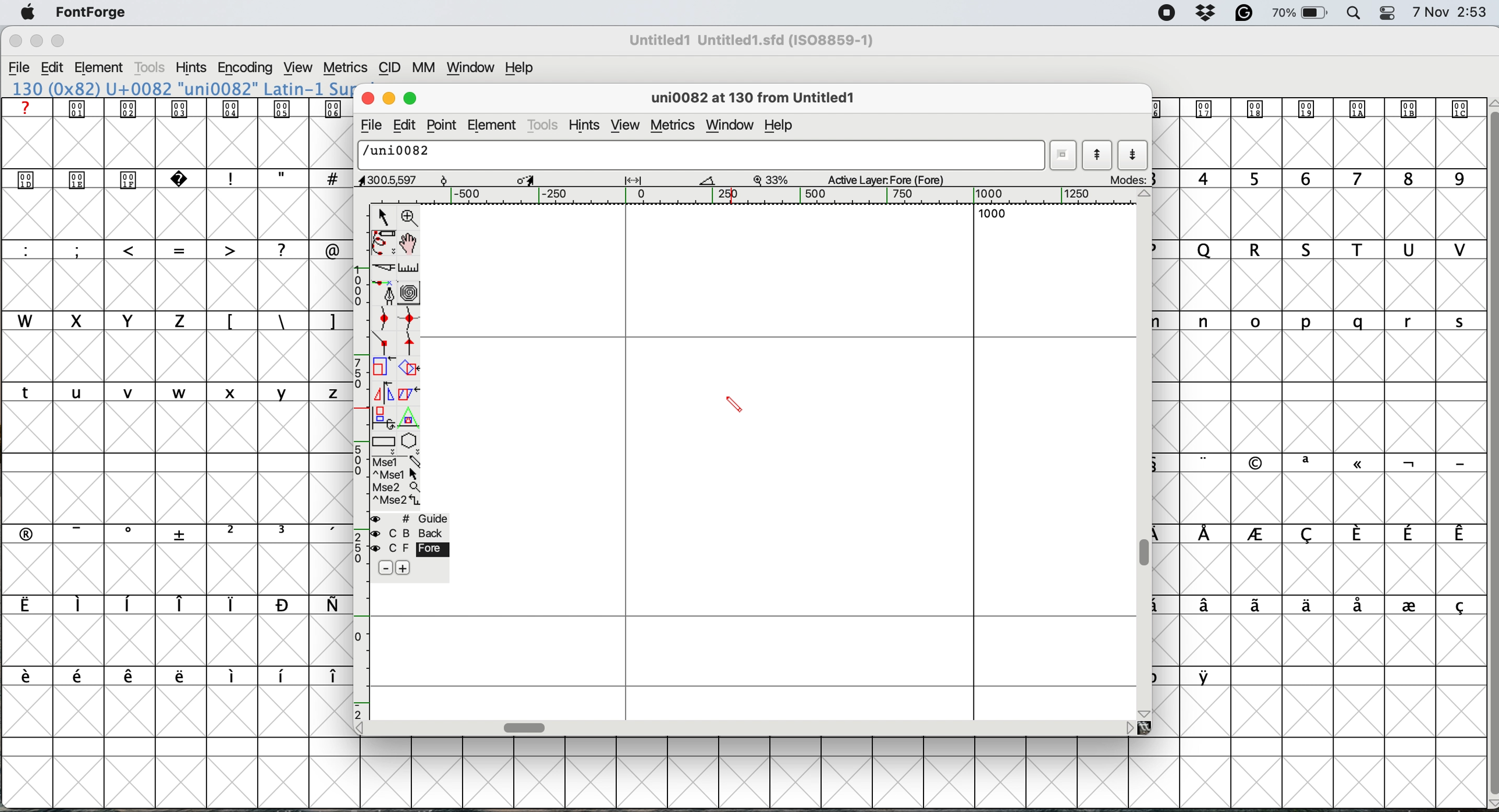 This screenshot has width=1499, height=812. Describe the element at coordinates (1132, 156) in the screenshot. I see `show next letter` at that location.